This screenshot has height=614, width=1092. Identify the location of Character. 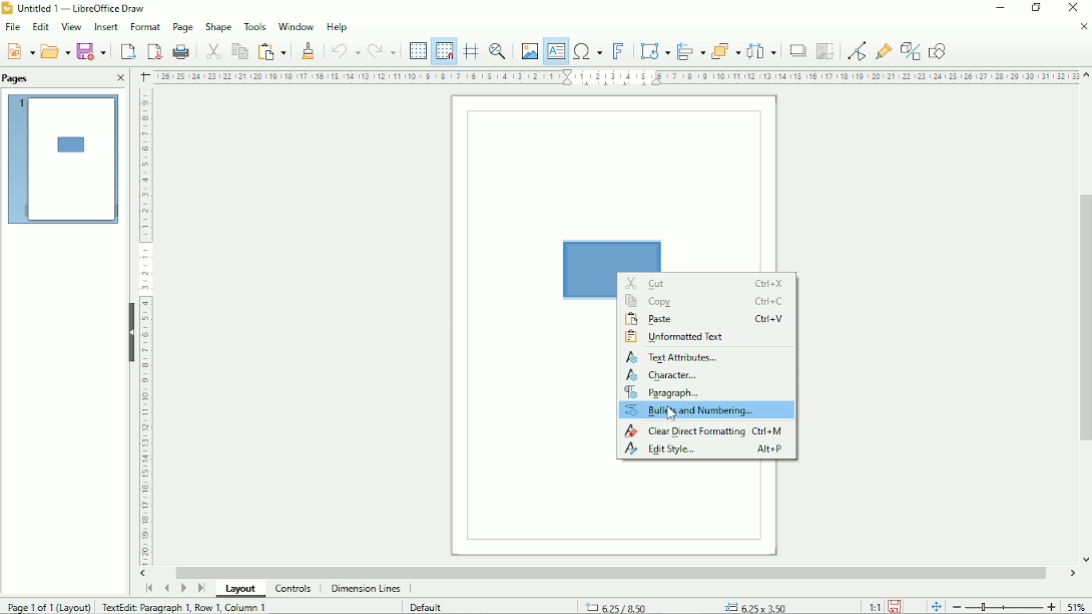
(663, 375).